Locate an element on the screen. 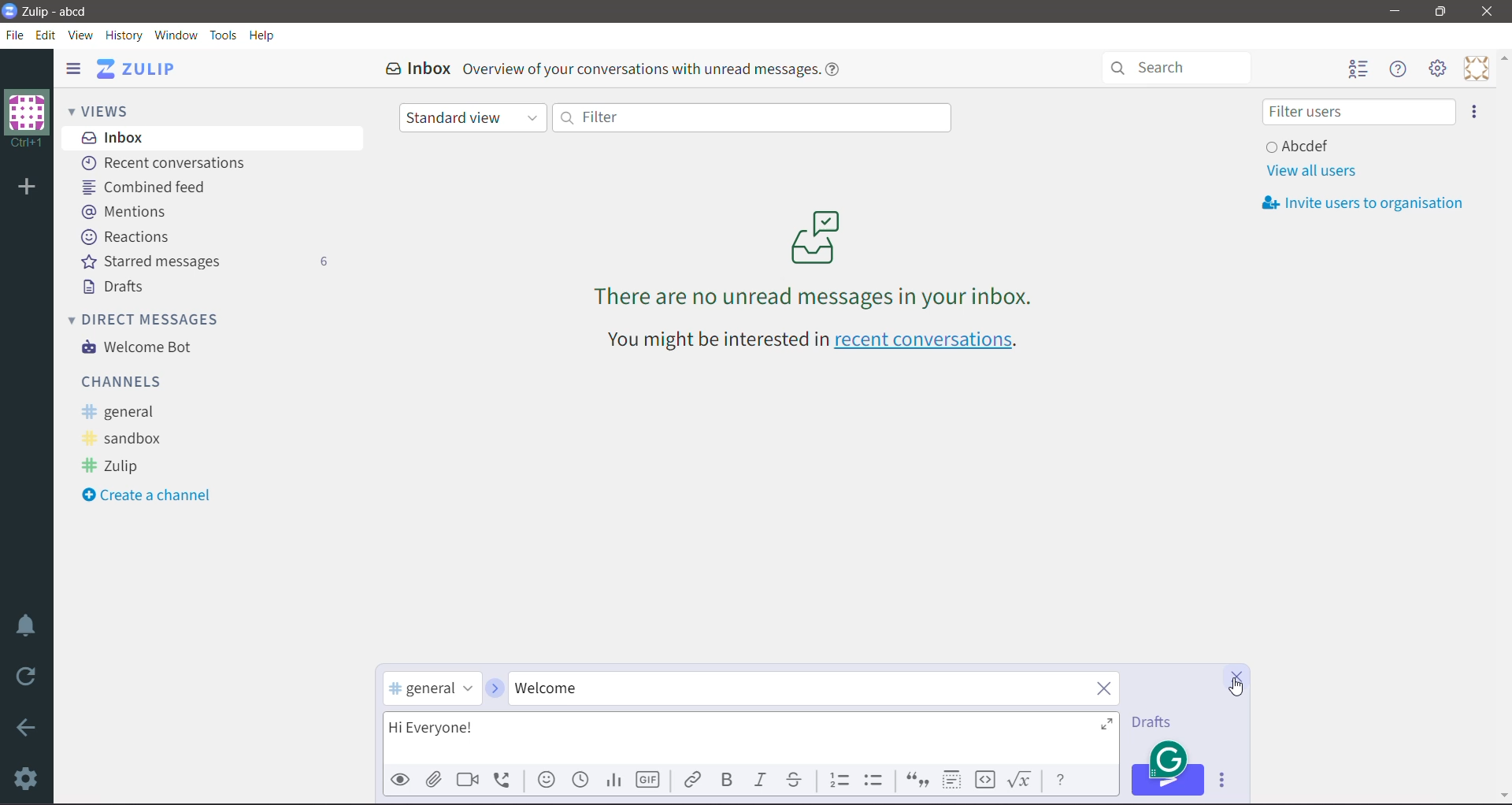 This screenshot has width=1512, height=805. Add organization is located at coordinates (25, 188).